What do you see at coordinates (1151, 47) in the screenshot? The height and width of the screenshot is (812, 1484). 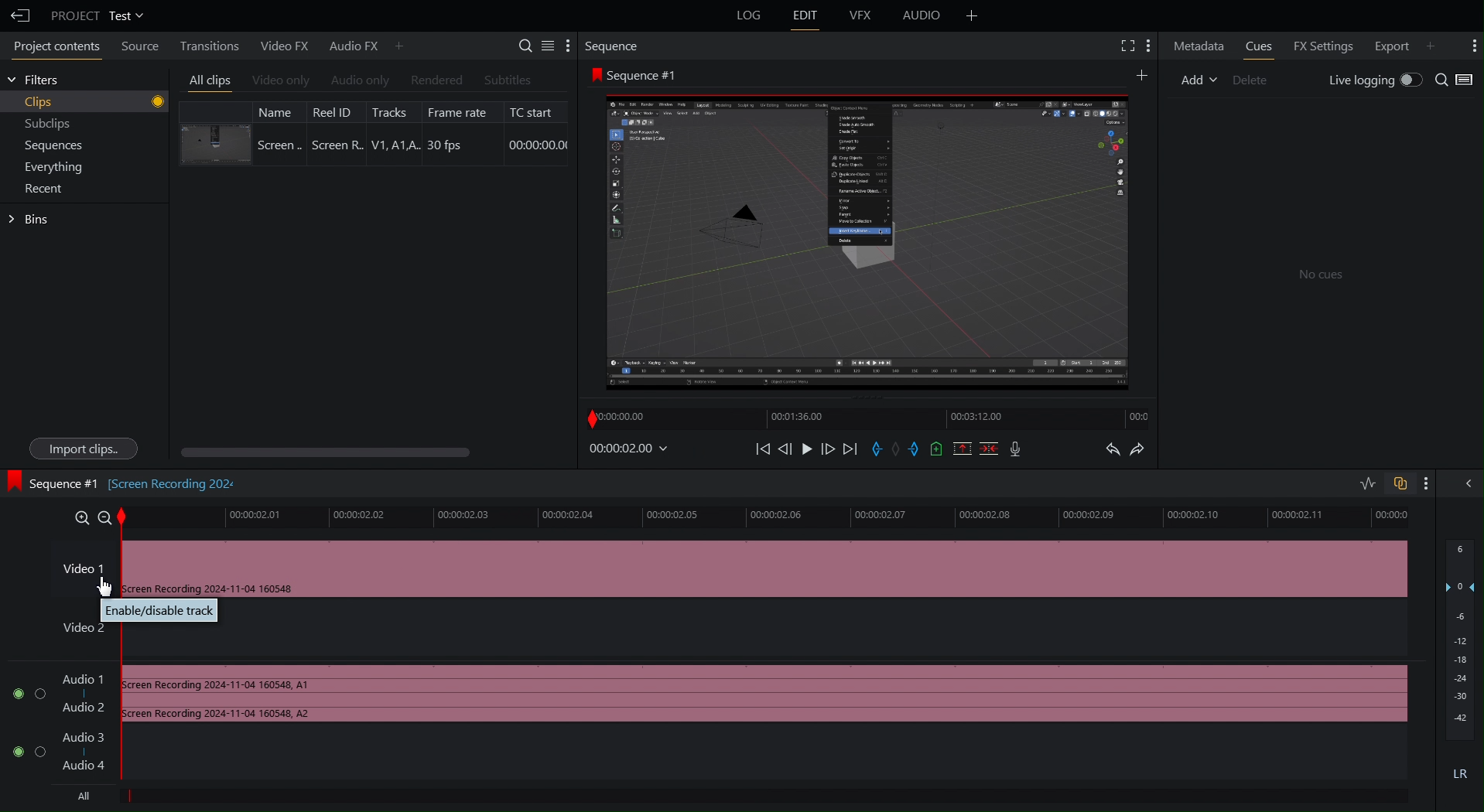 I see `More` at bounding box center [1151, 47].